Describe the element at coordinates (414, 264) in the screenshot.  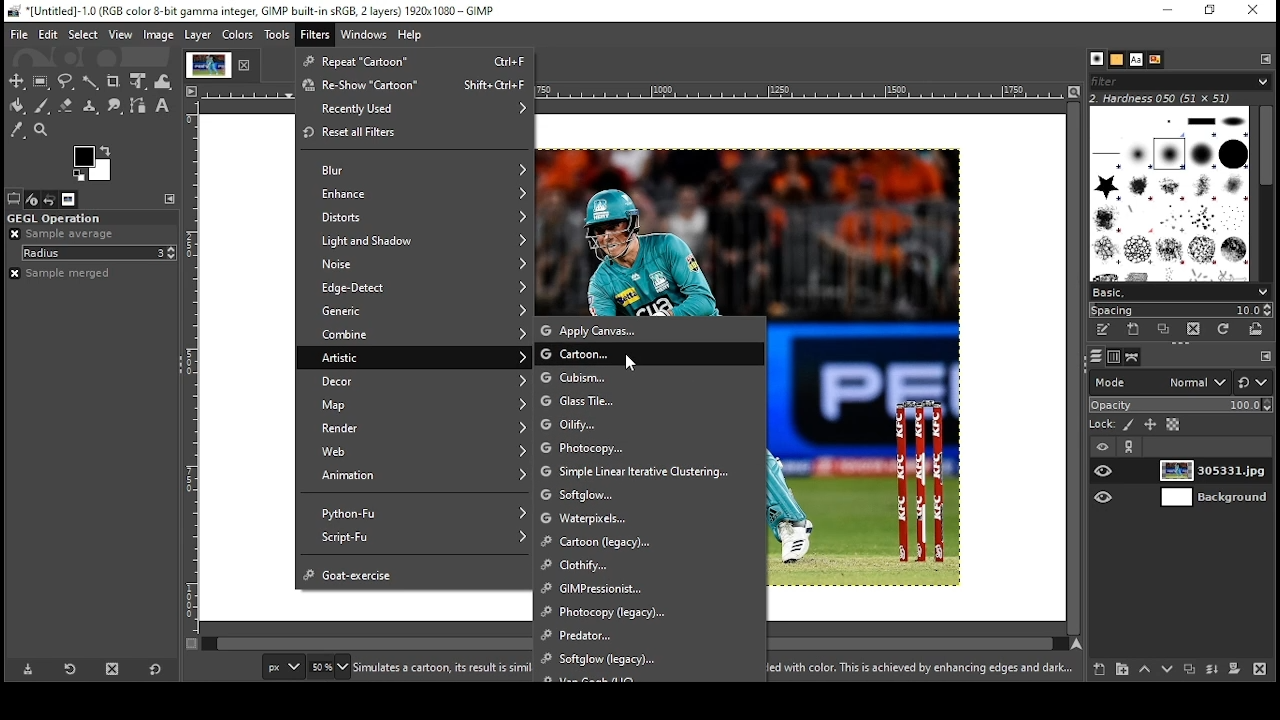
I see `noise` at that location.